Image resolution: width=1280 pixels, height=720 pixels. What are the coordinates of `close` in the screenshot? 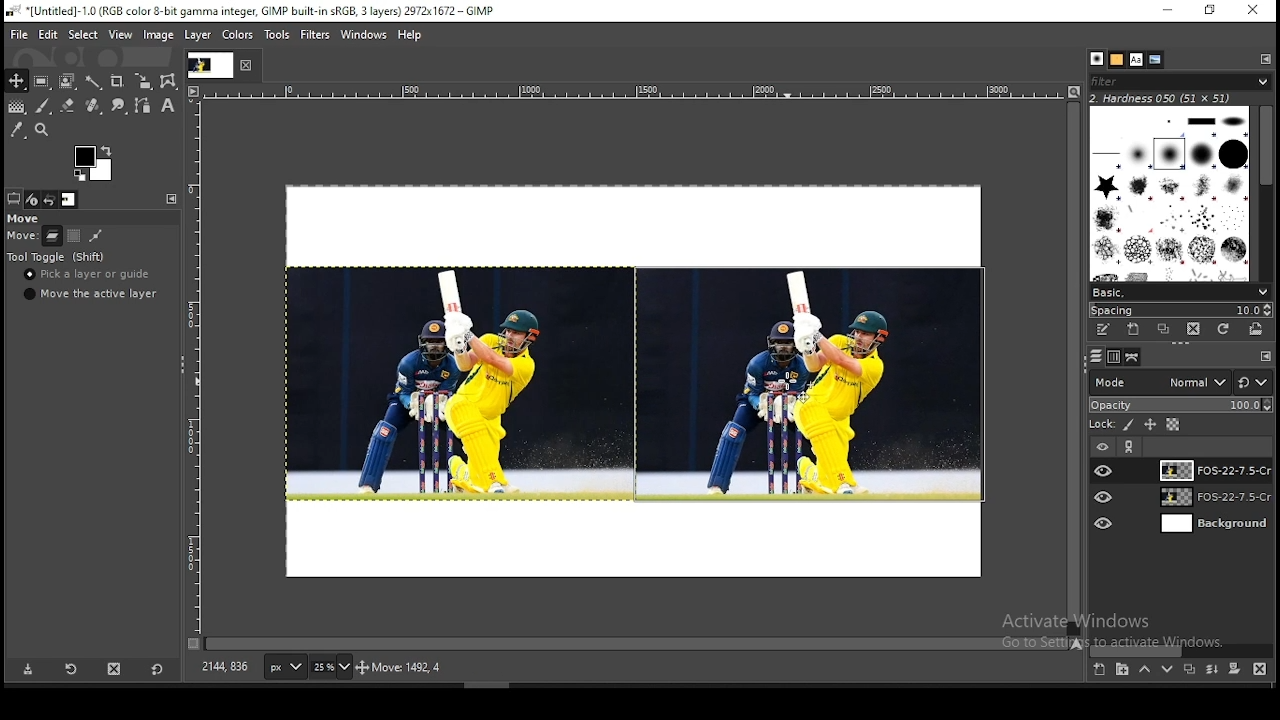 It's located at (1253, 10).